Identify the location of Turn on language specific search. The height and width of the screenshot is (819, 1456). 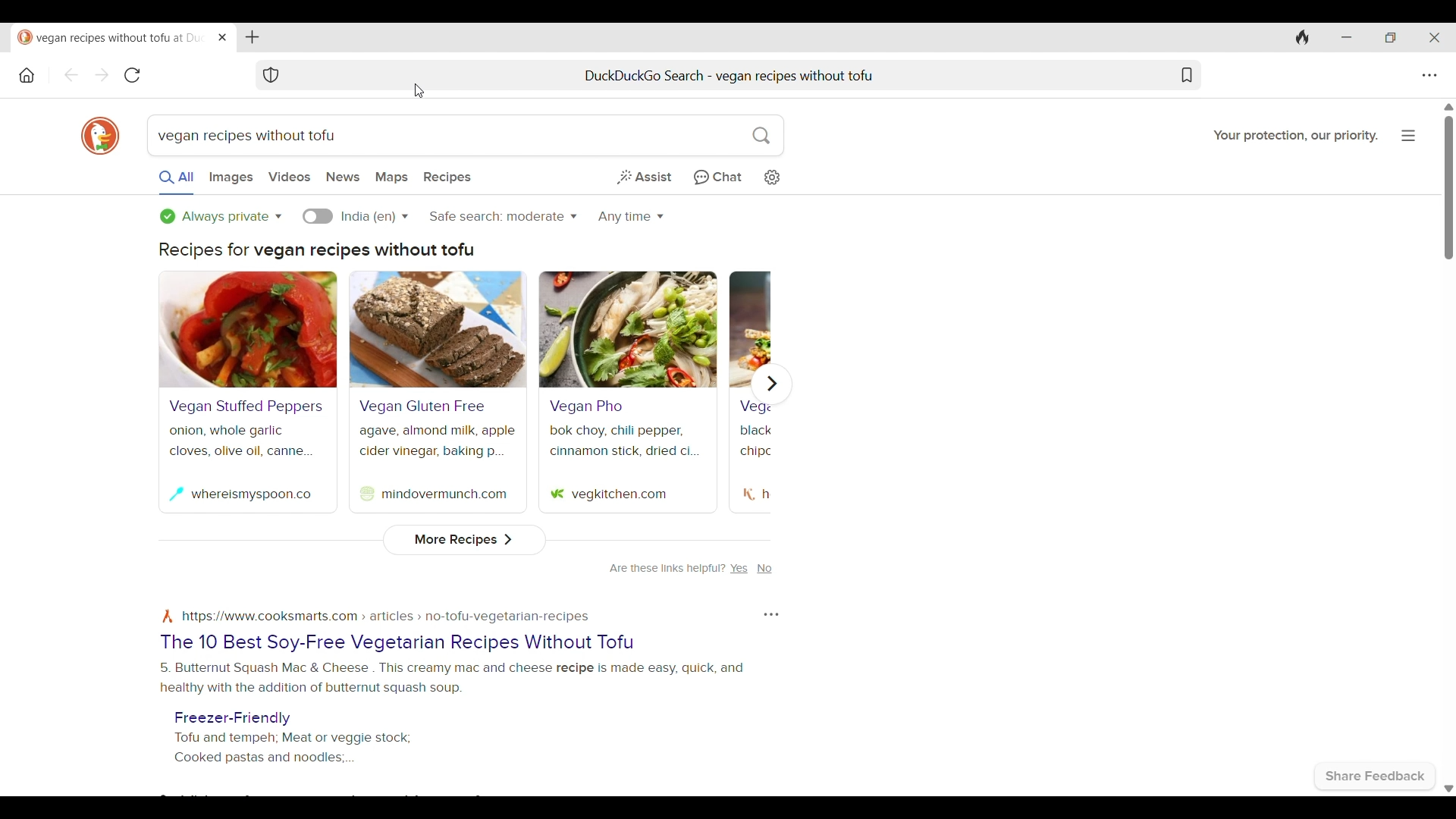
(318, 216).